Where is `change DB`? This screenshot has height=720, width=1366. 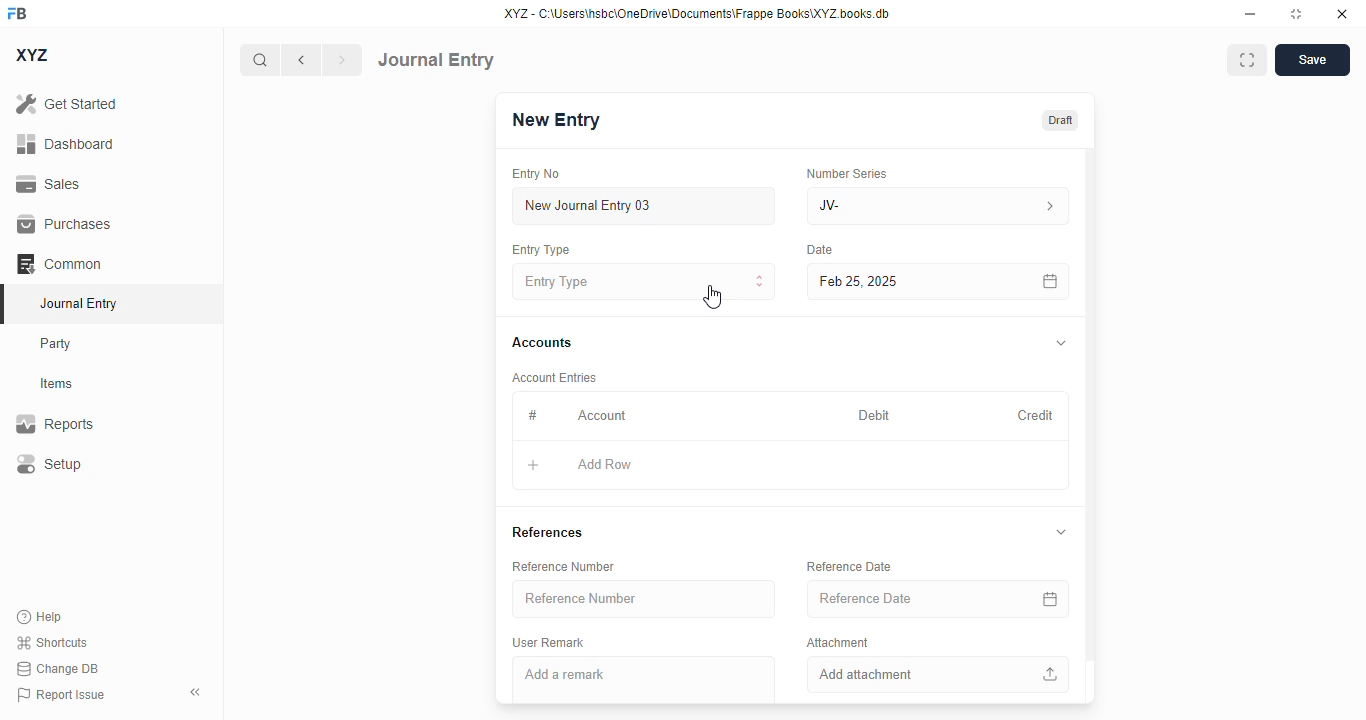
change DB is located at coordinates (58, 668).